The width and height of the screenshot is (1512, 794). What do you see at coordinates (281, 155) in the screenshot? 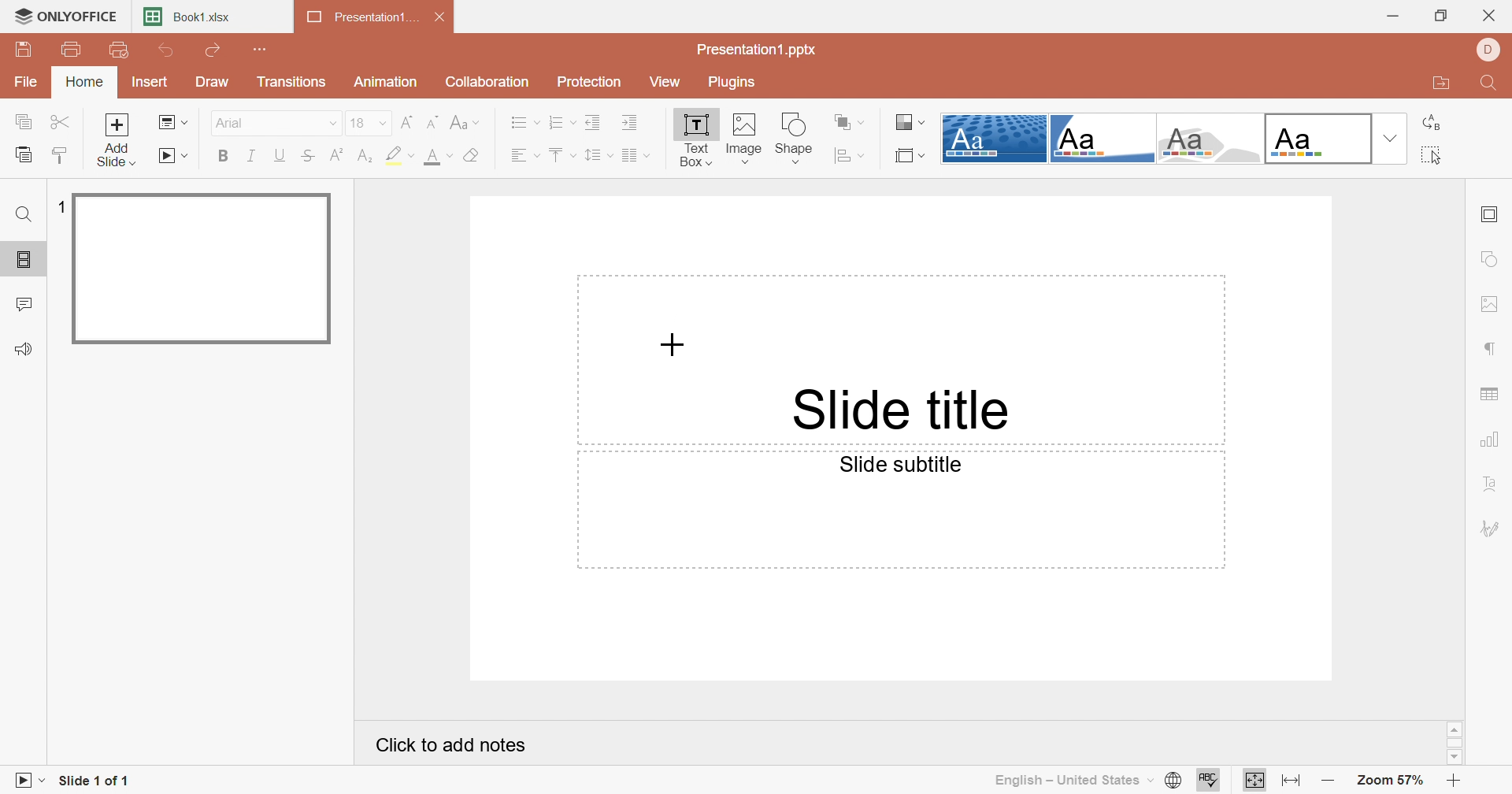
I see `Underline` at bounding box center [281, 155].